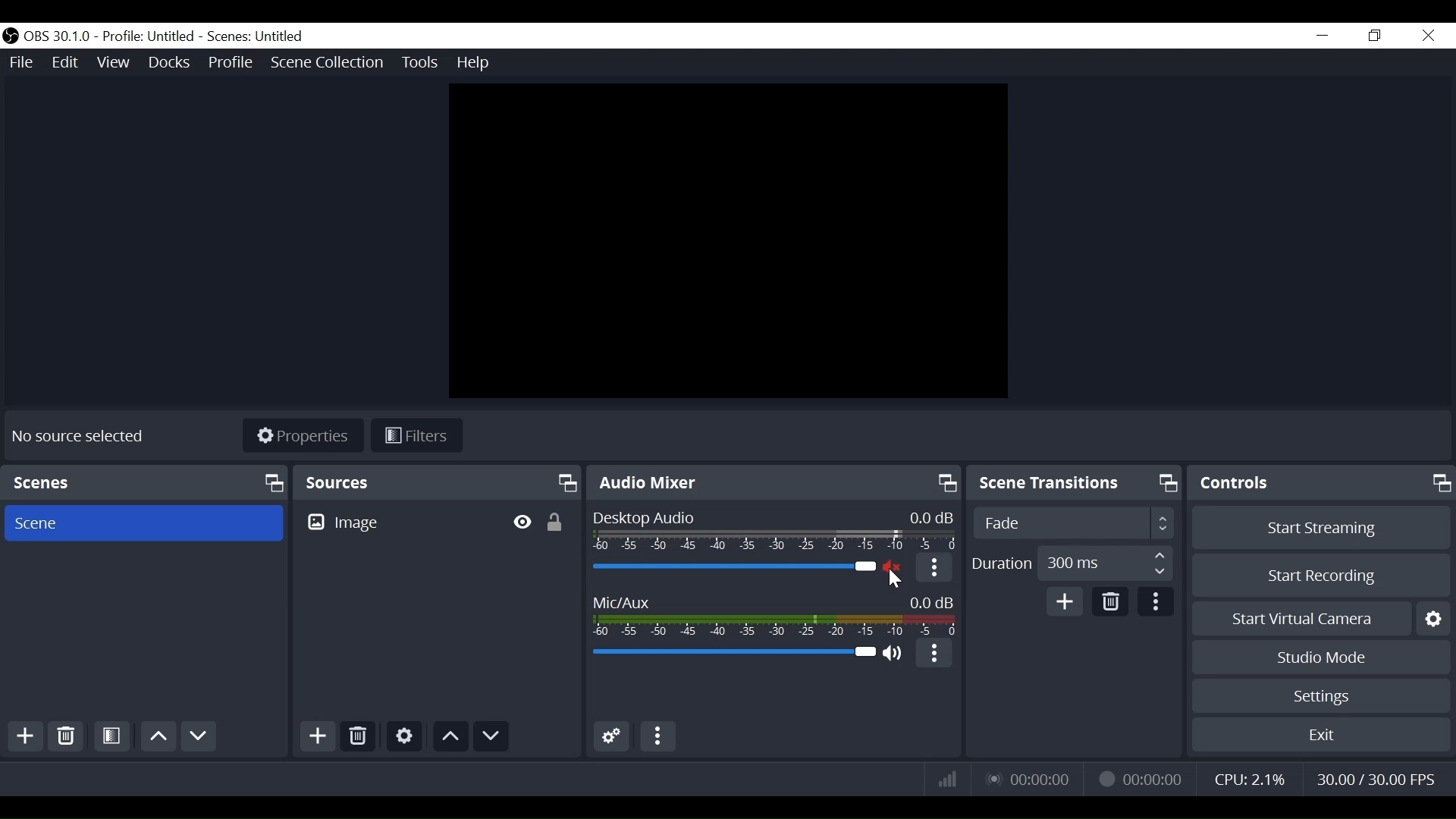 The height and width of the screenshot is (819, 1456). I want to click on Desktop Audio Slider, so click(732, 566).